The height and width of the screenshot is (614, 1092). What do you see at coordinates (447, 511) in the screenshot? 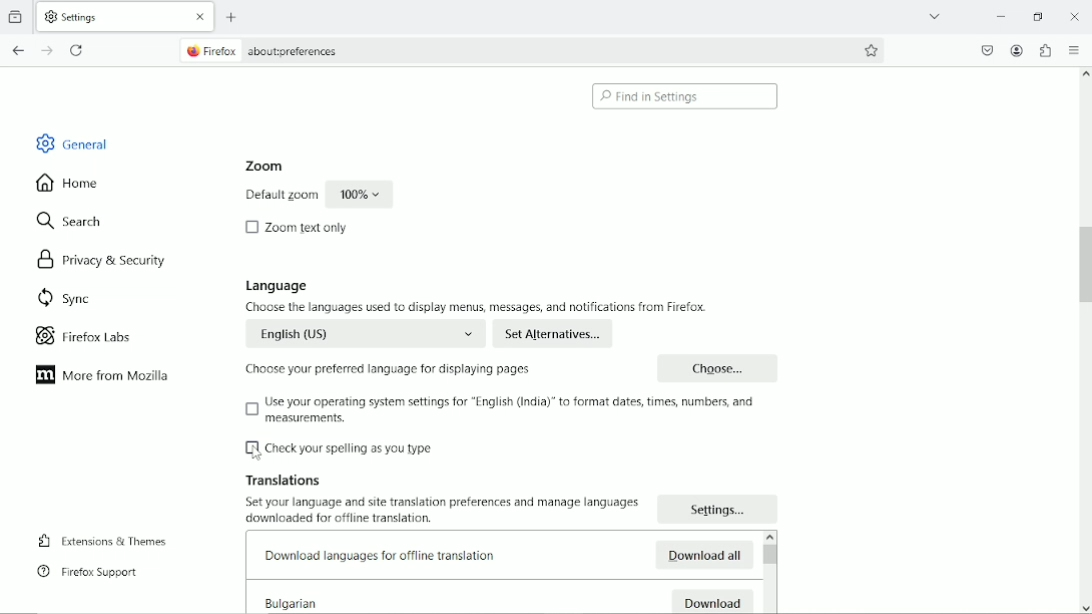
I see `Set your language and translation preferences and  manage languages. downloaded for offline trnaslation.` at bounding box center [447, 511].